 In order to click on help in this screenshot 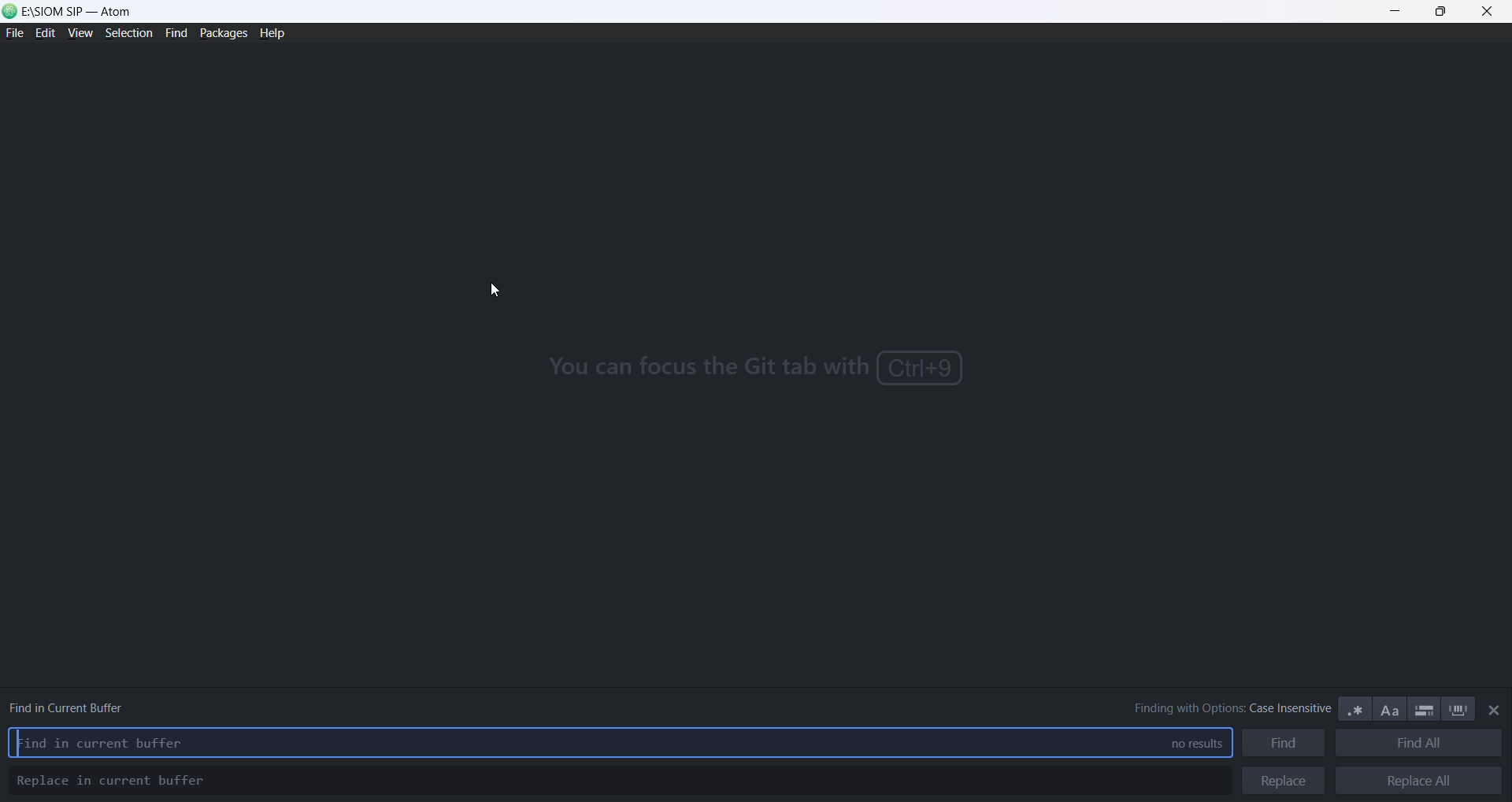, I will do `click(276, 35)`.